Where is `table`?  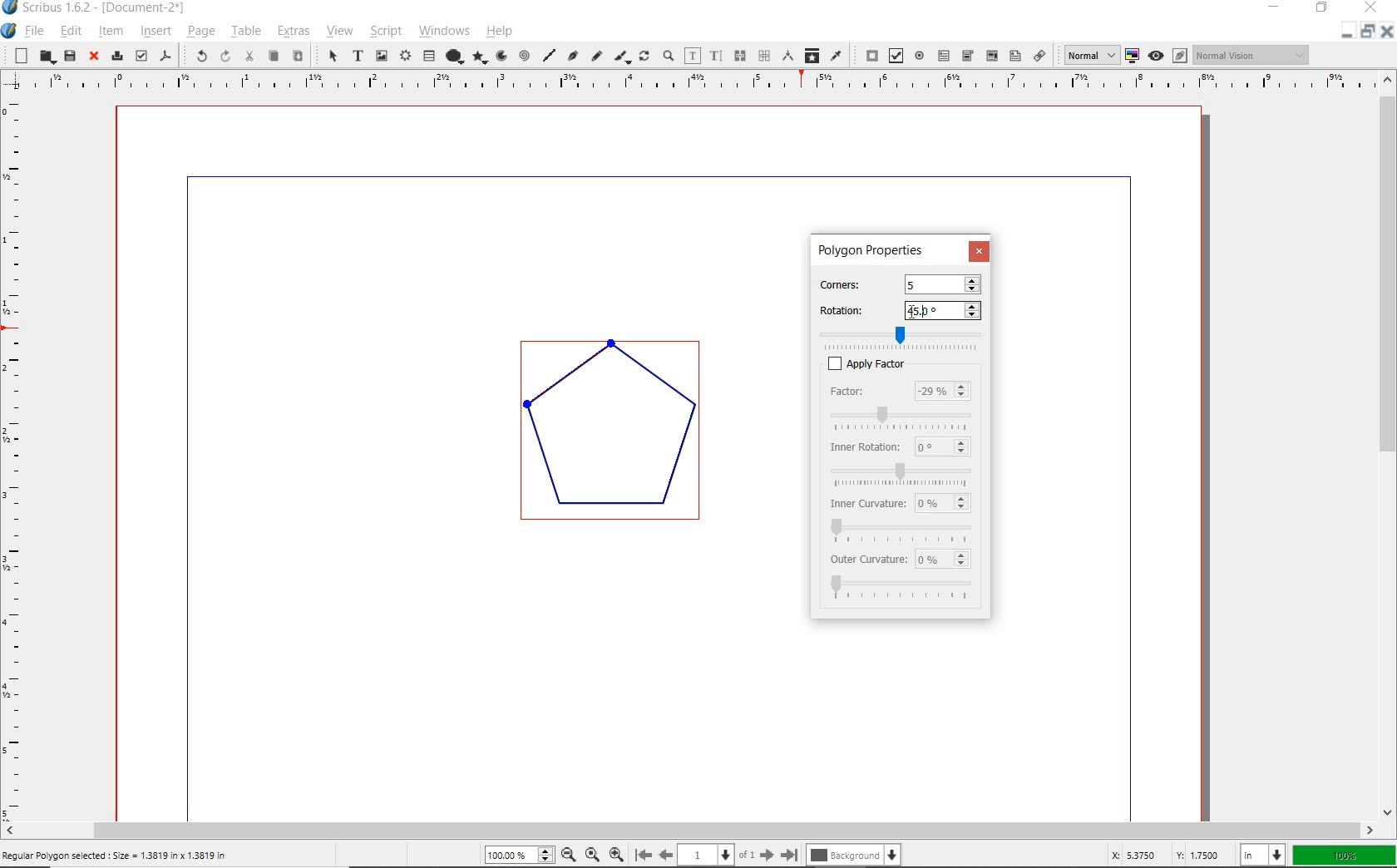 table is located at coordinates (245, 32).